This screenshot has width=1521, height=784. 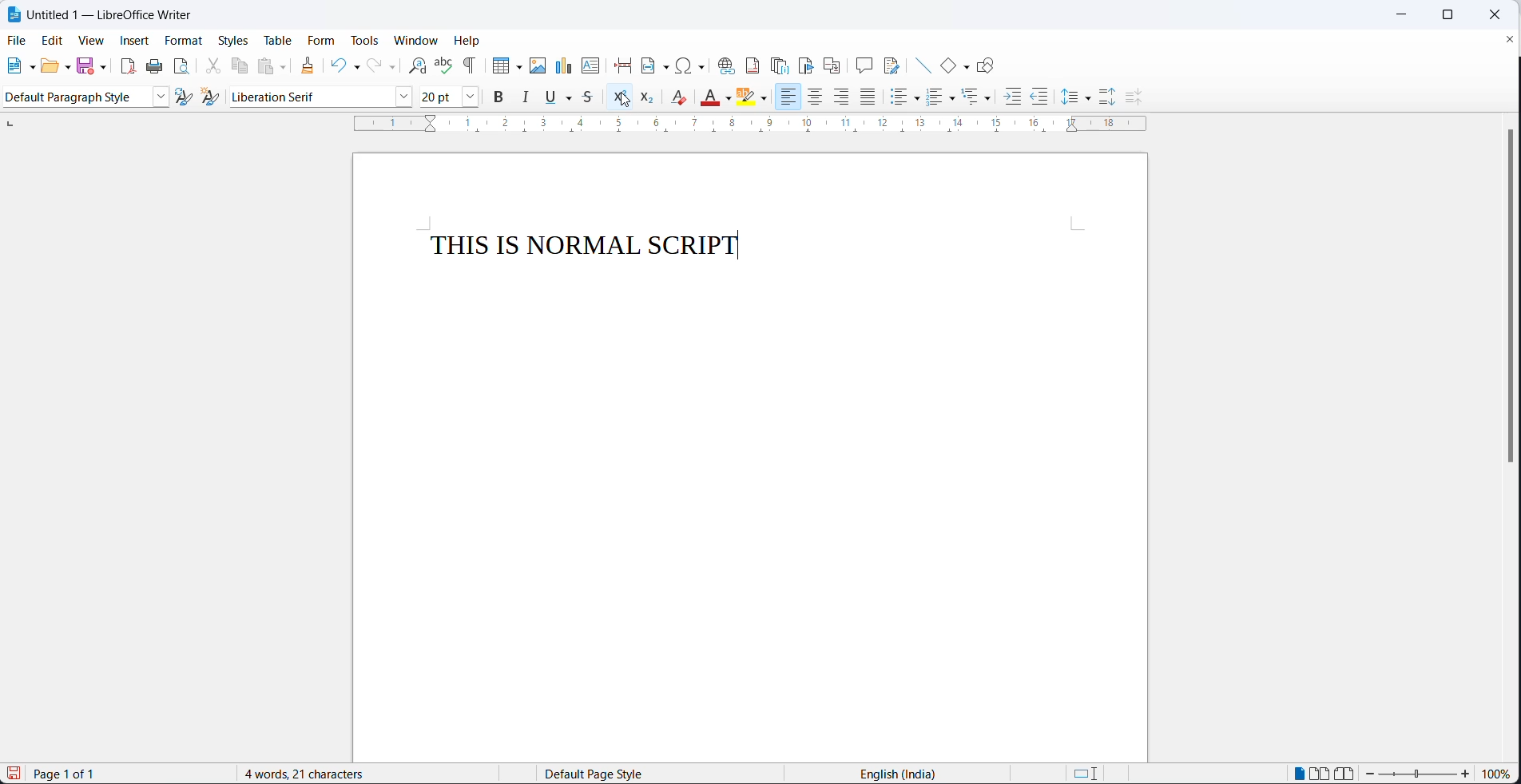 I want to click on font size, so click(x=441, y=96).